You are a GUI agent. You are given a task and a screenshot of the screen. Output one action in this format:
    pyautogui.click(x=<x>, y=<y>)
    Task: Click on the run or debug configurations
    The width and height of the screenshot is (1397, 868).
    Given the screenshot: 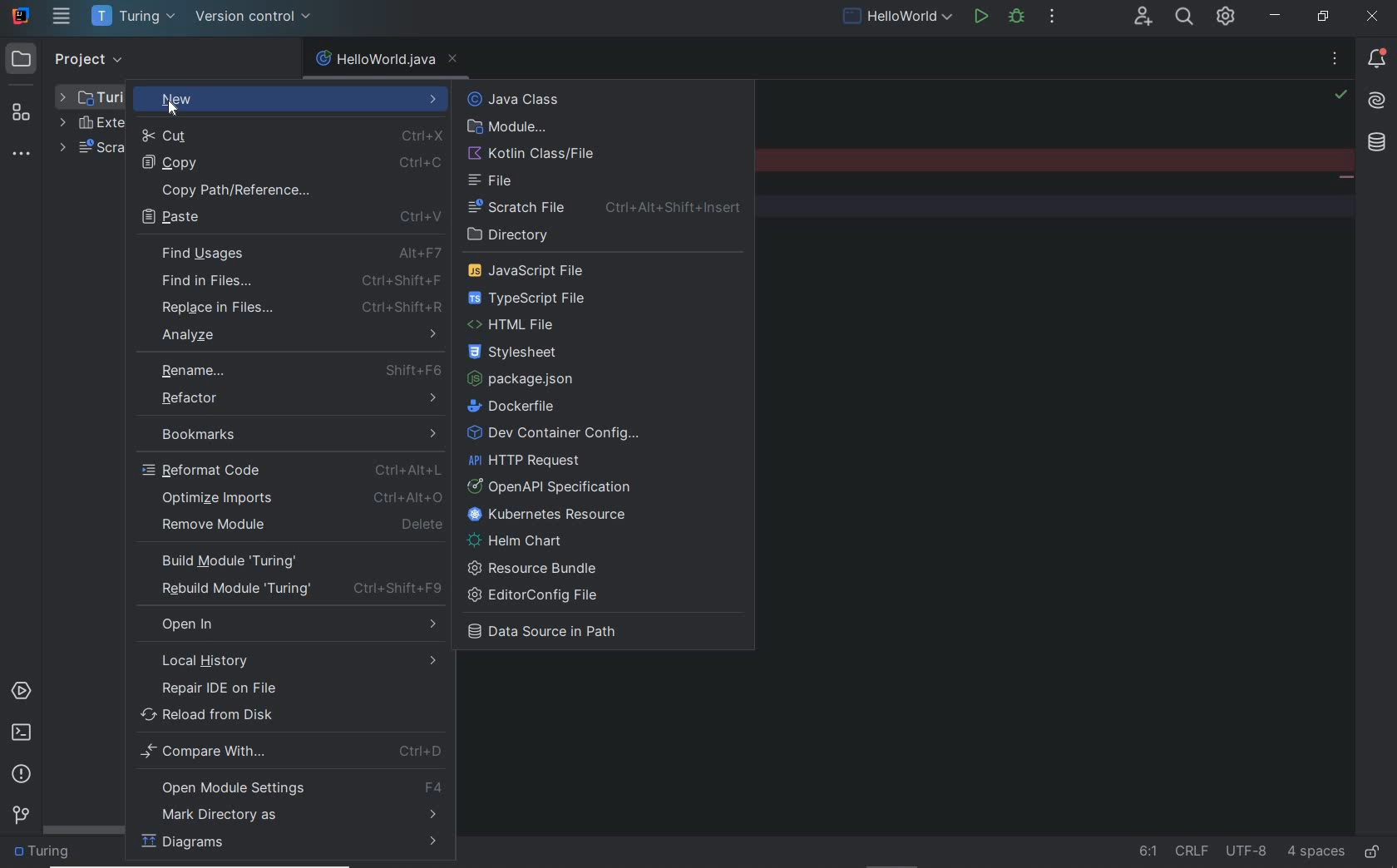 What is the action you would take?
    pyautogui.click(x=900, y=18)
    